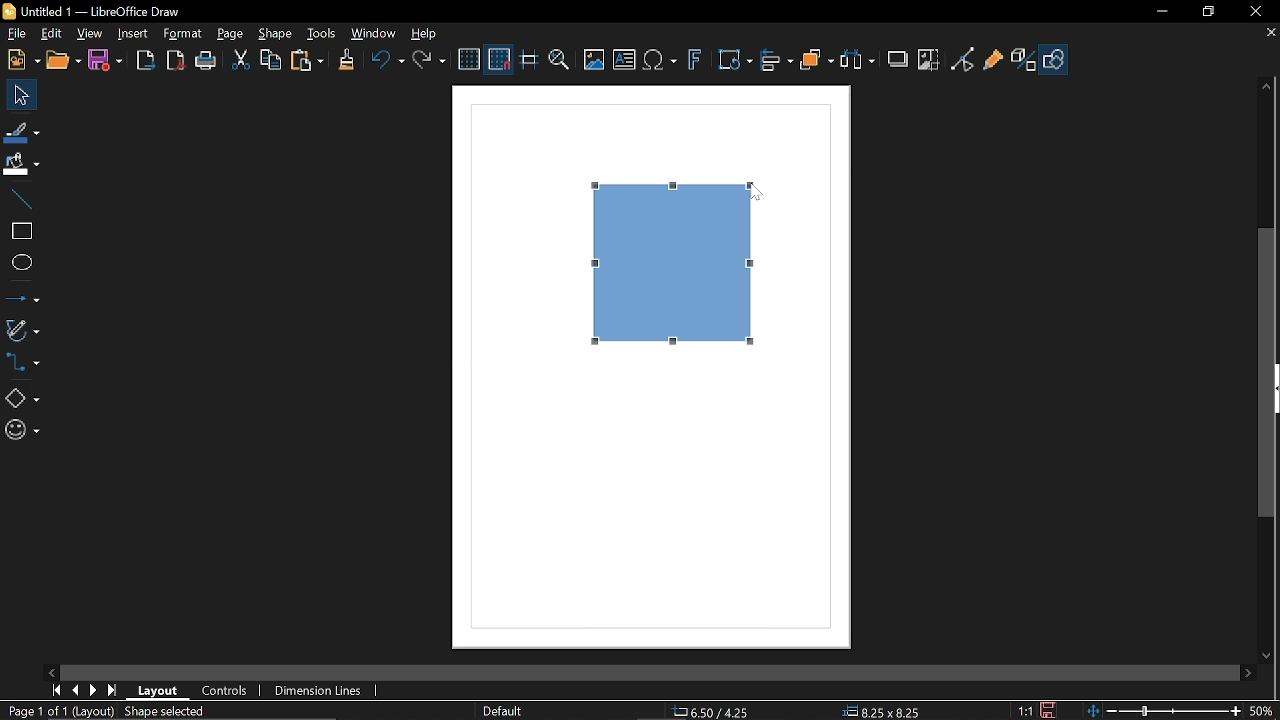 This screenshot has height=720, width=1280. I want to click on Close, so click(1257, 11).